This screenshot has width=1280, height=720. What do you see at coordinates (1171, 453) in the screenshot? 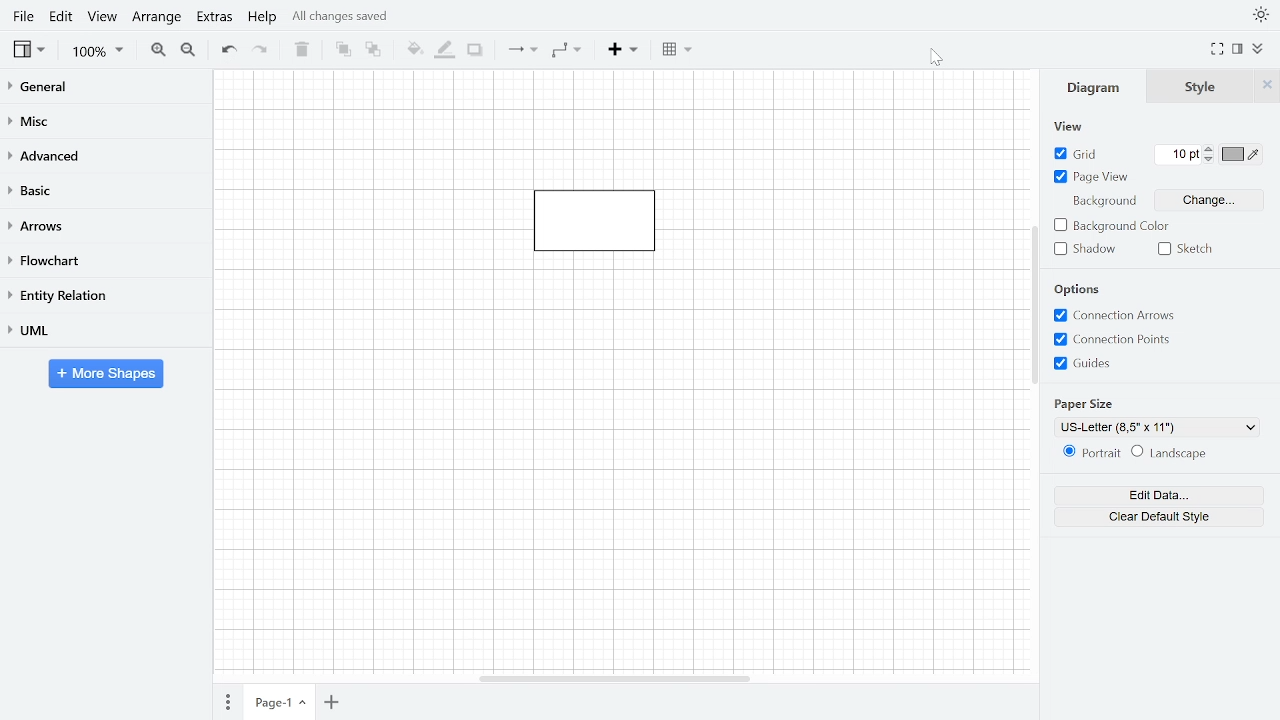
I see `Landscape` at bounding box center [1171, 453].